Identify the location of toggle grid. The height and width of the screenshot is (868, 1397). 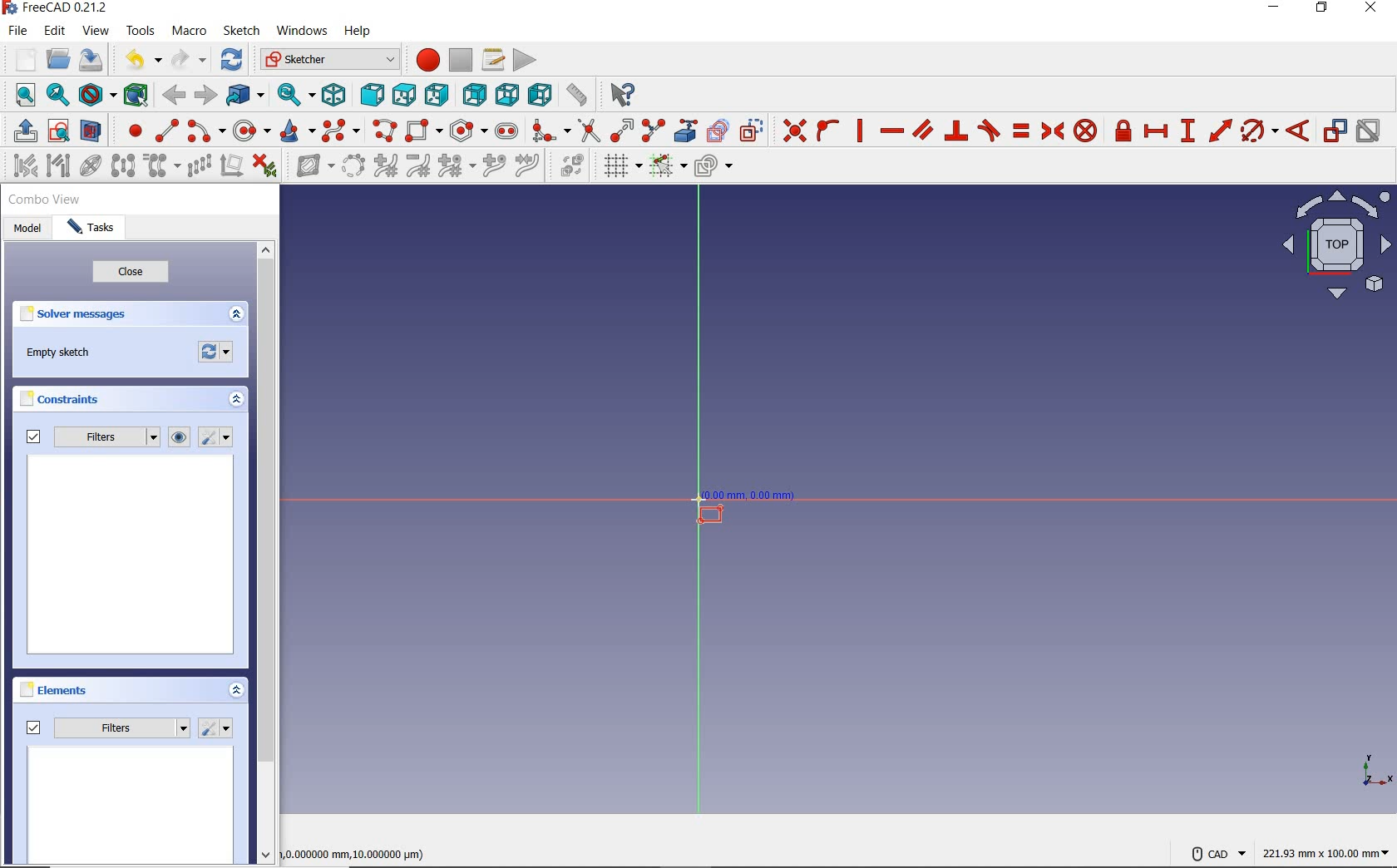
(621, 167).